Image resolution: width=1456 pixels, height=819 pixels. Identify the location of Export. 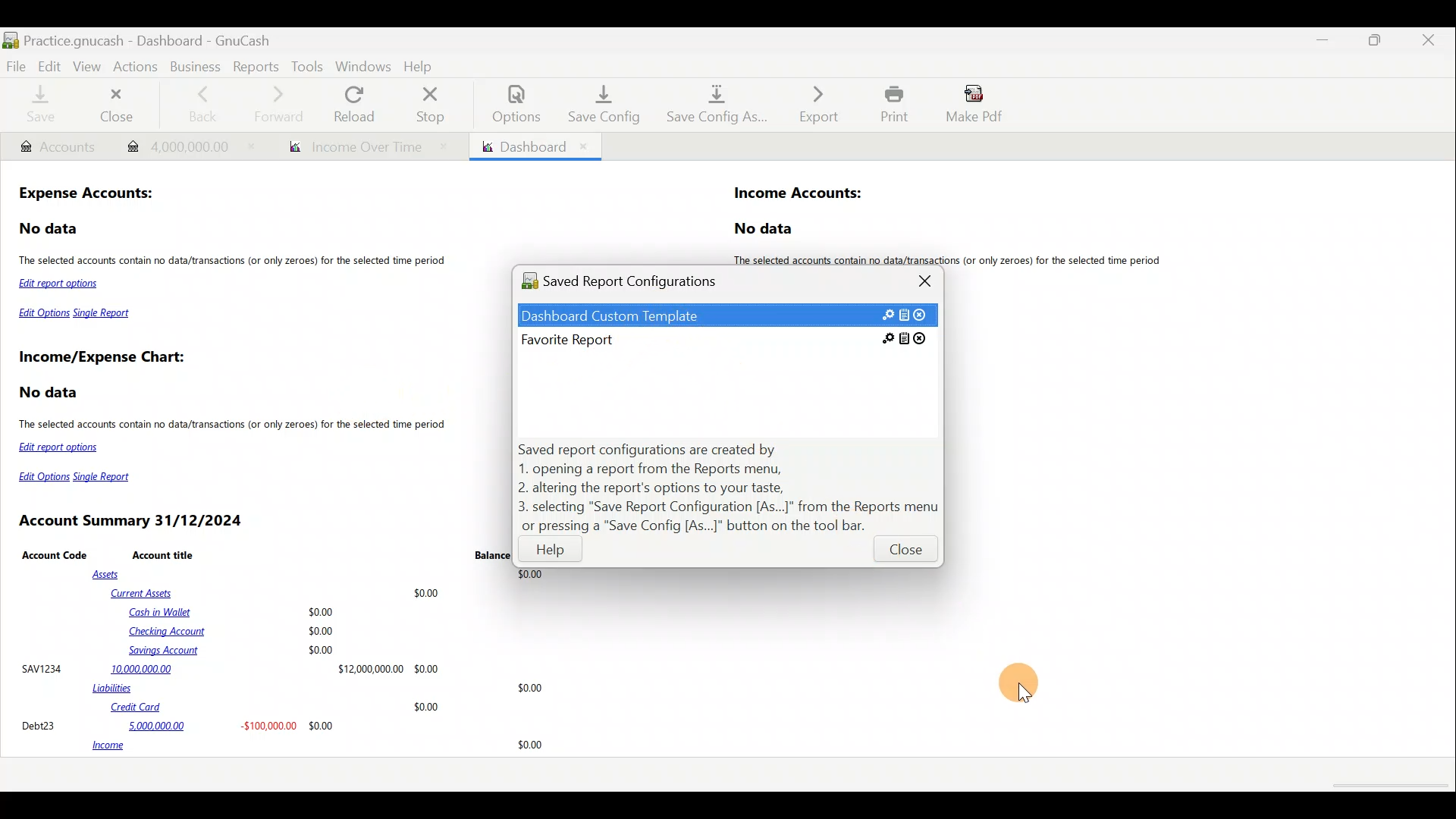
(811, 104).